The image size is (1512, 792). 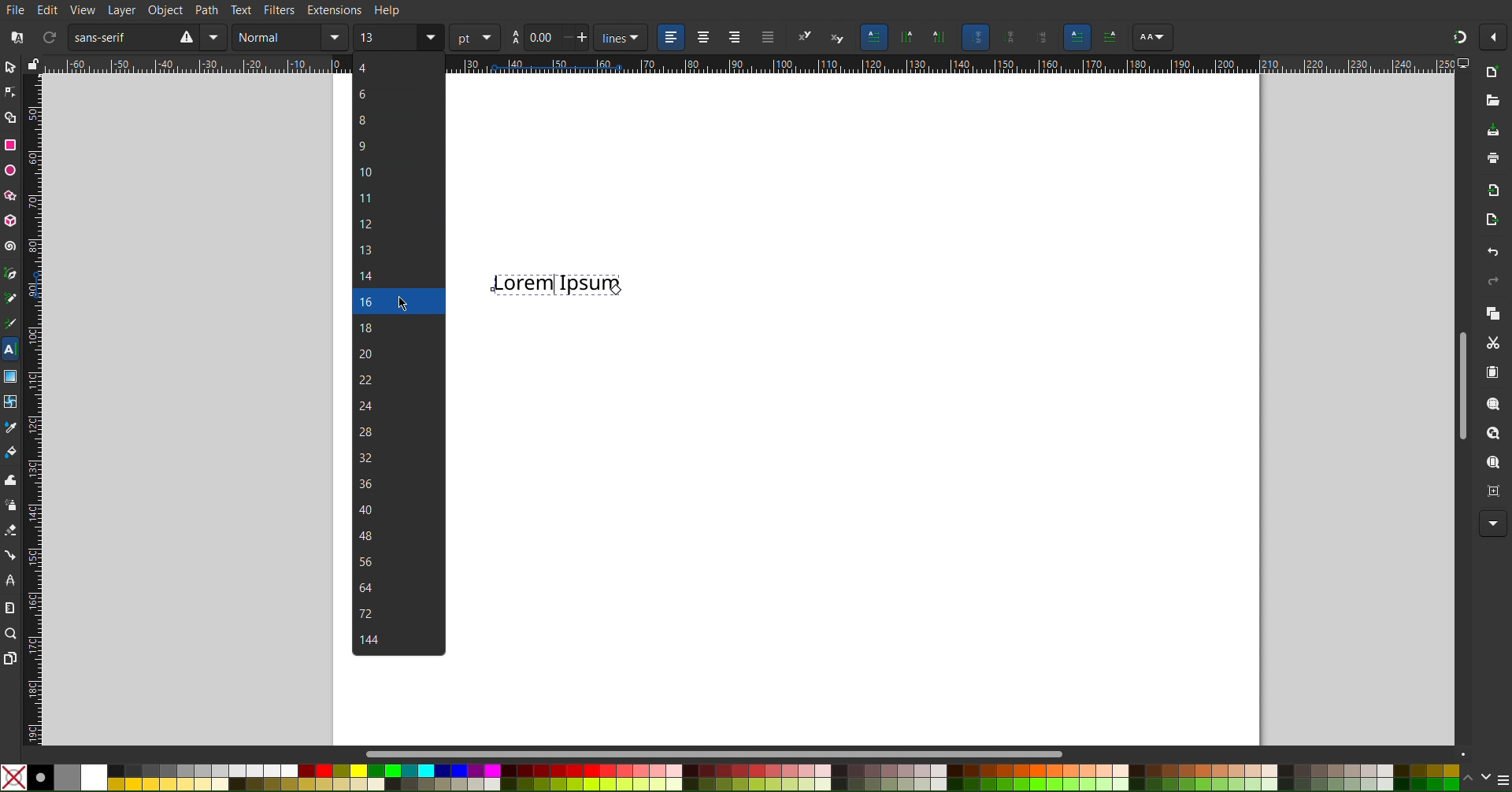 I want to click on Connector Tool, so click(x=9, y=555).